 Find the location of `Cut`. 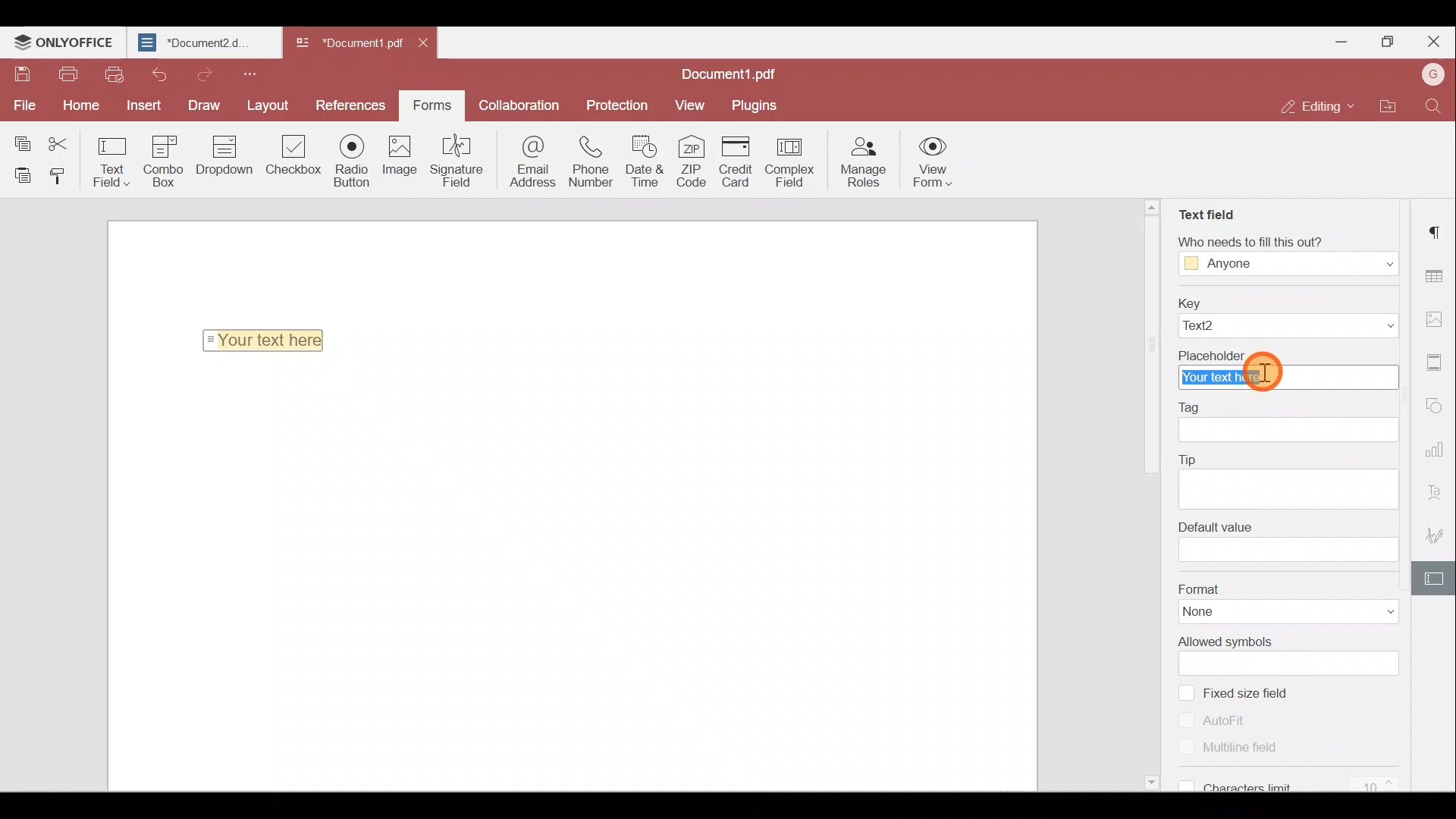

Cut is located at coordinates (64, 140).